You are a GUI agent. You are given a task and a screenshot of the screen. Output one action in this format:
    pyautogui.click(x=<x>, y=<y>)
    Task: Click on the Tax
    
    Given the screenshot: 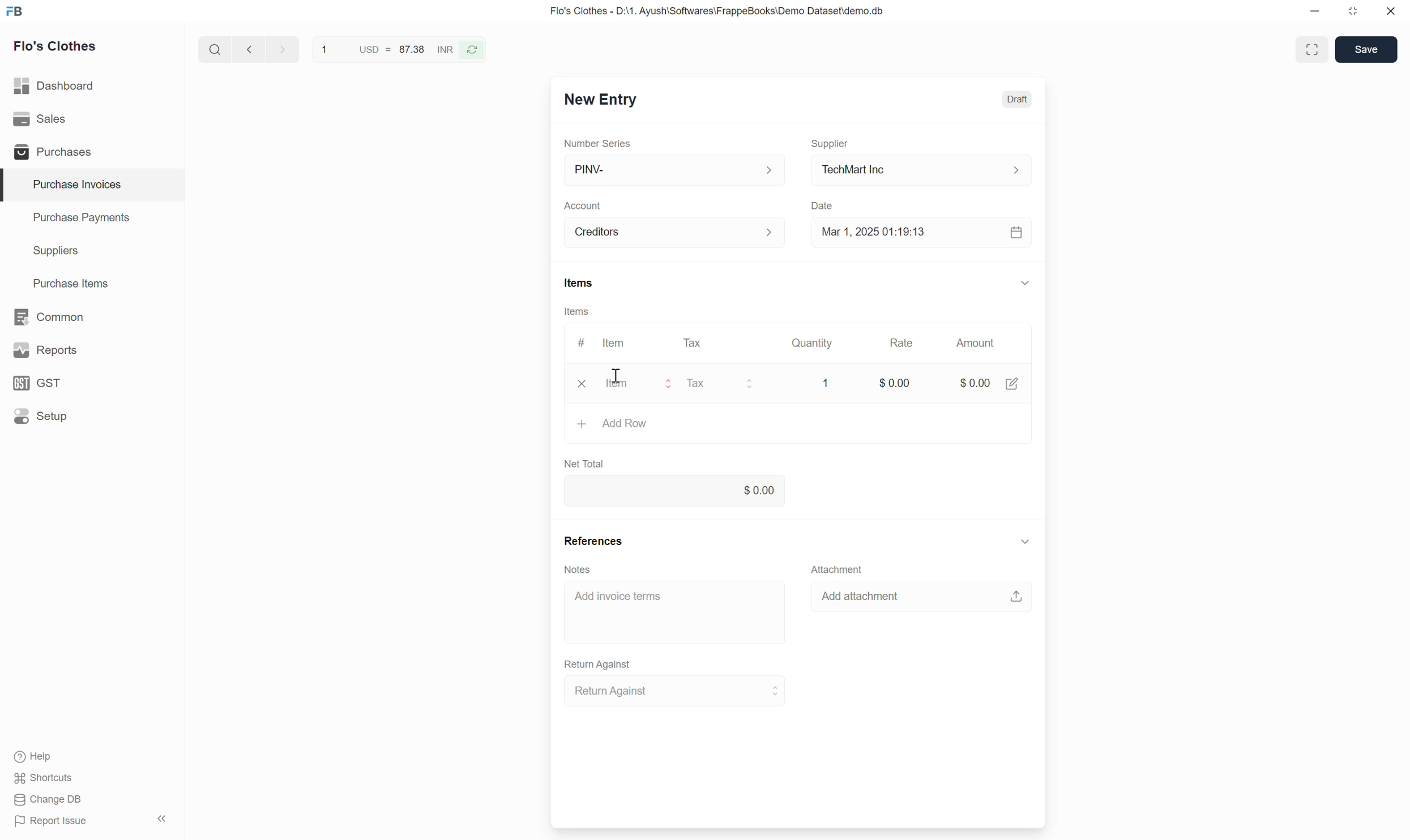 What is the action you would take?
    pyautogui.click(x=694, y=342)
    